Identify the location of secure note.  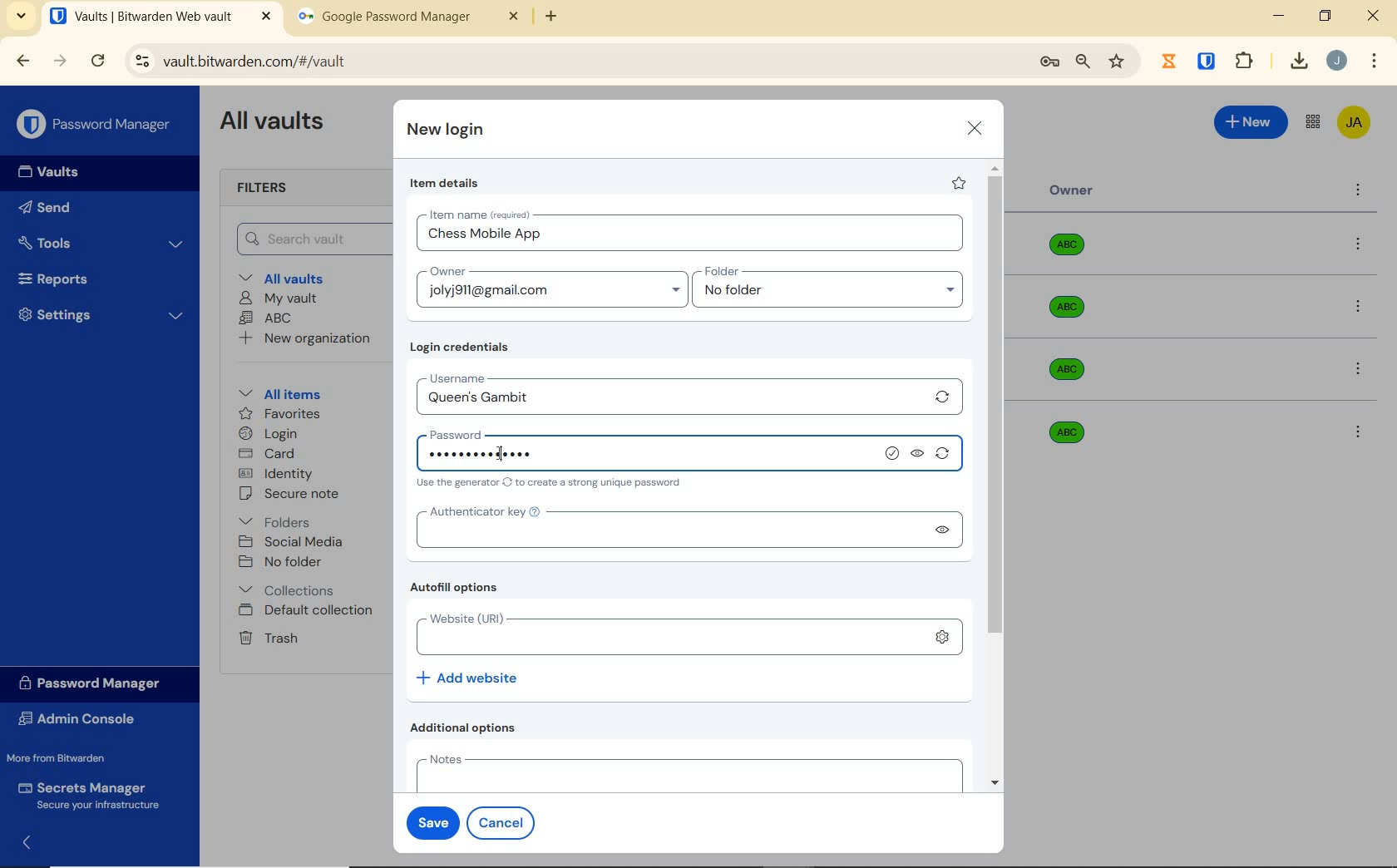
(294, 494).